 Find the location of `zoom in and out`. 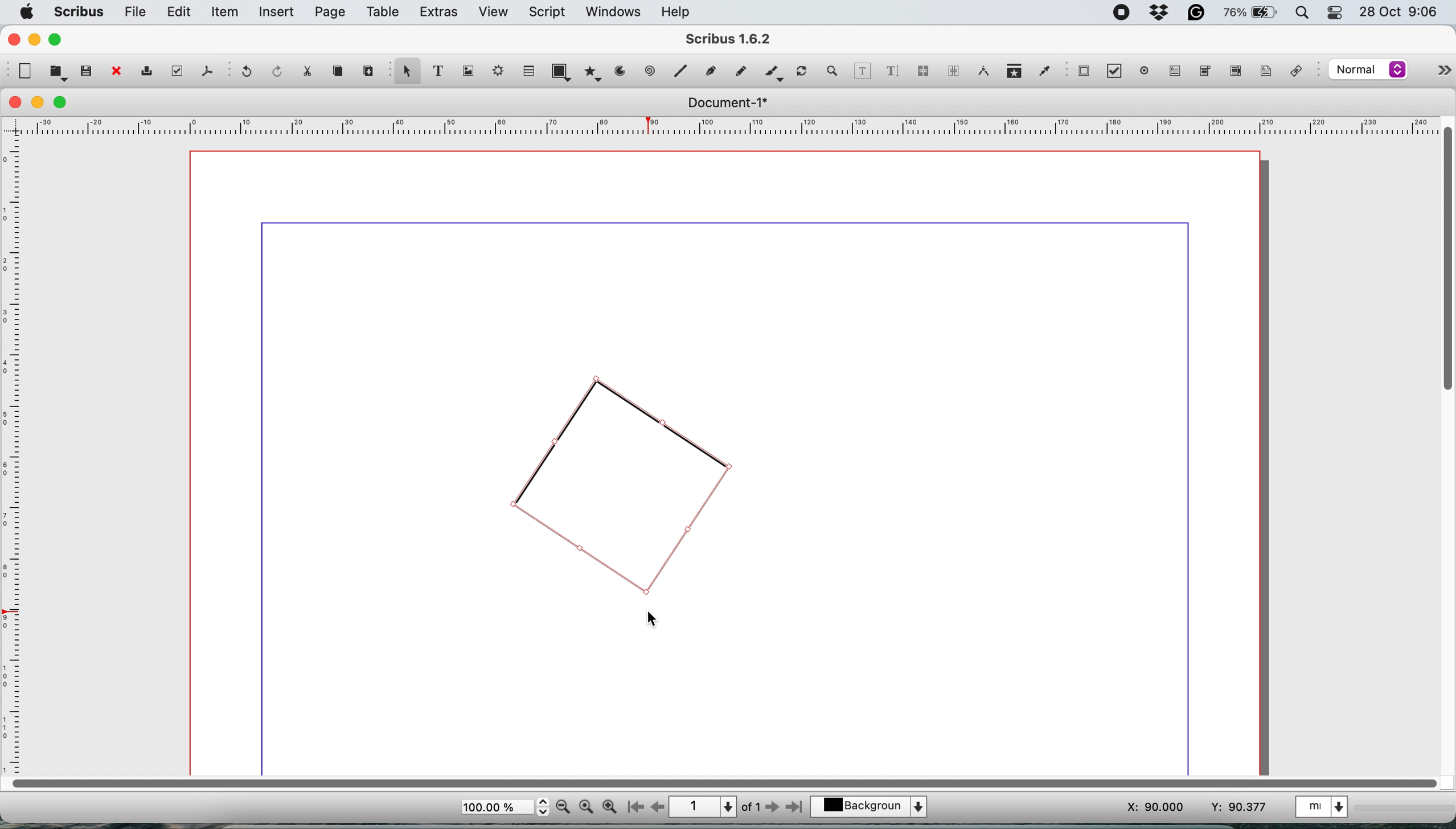

zoom in and out is located at coordinates (835, 71).